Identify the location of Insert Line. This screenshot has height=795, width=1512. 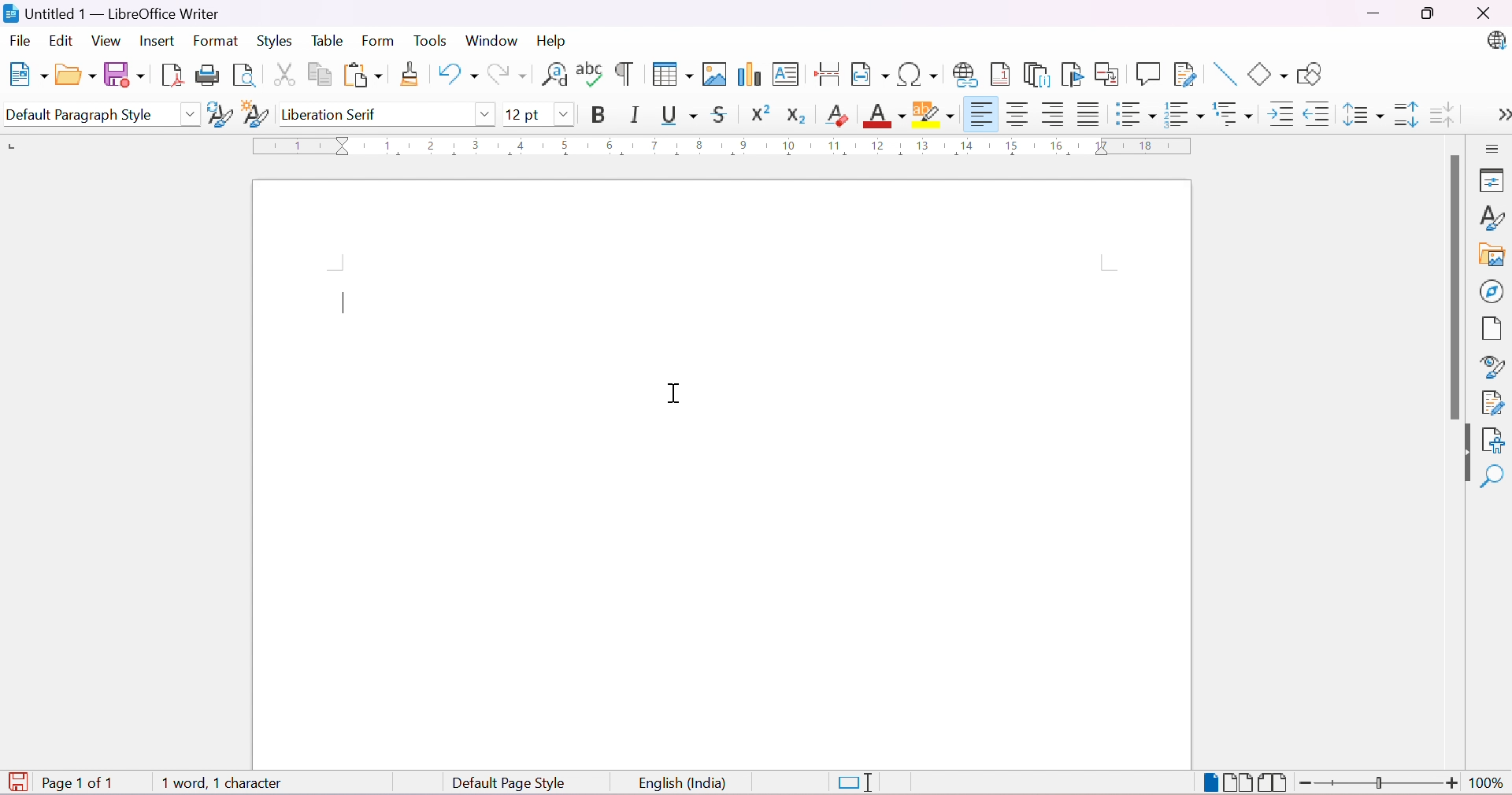
(1222, 74).